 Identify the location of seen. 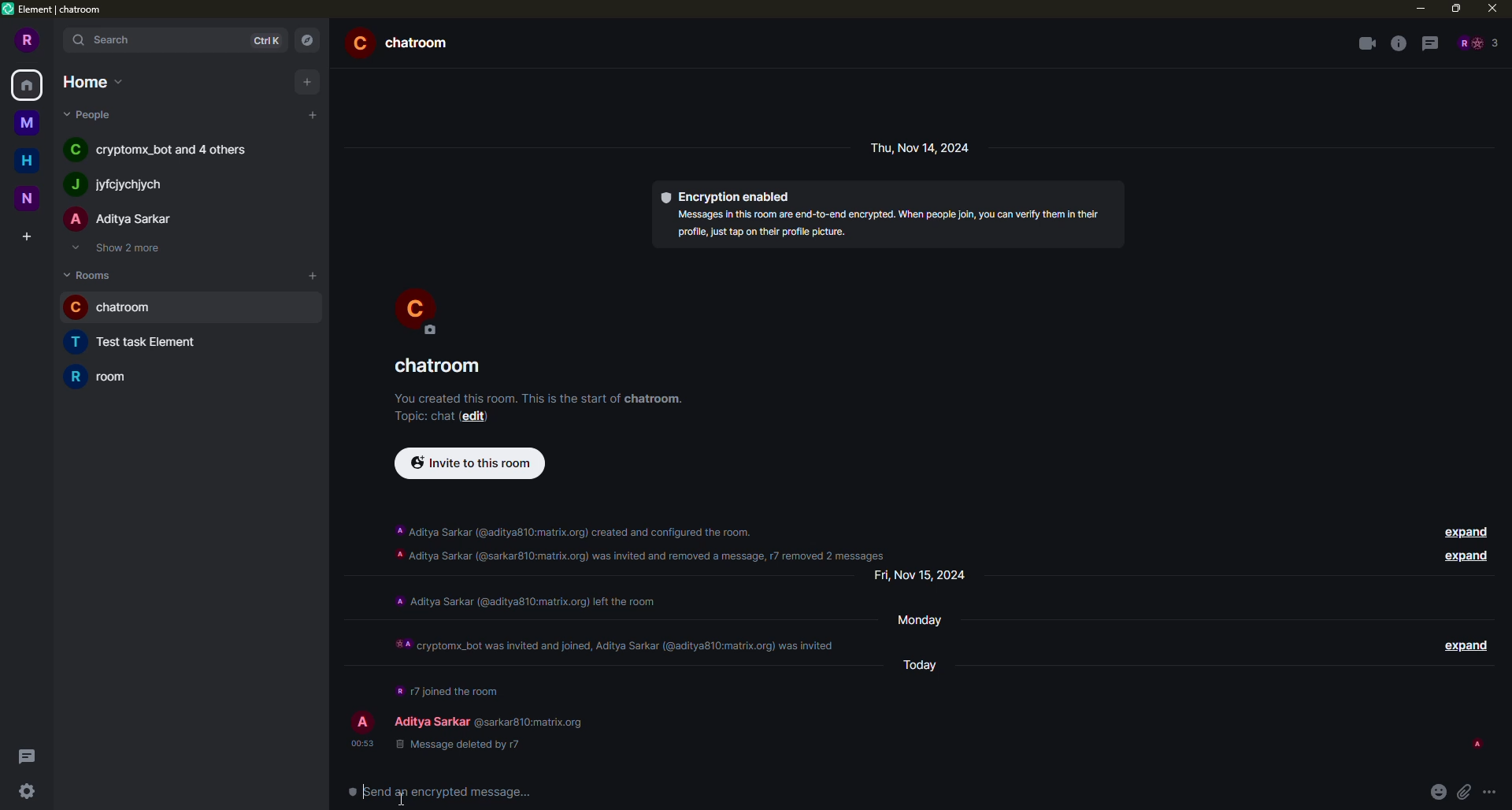
(1476, 744).